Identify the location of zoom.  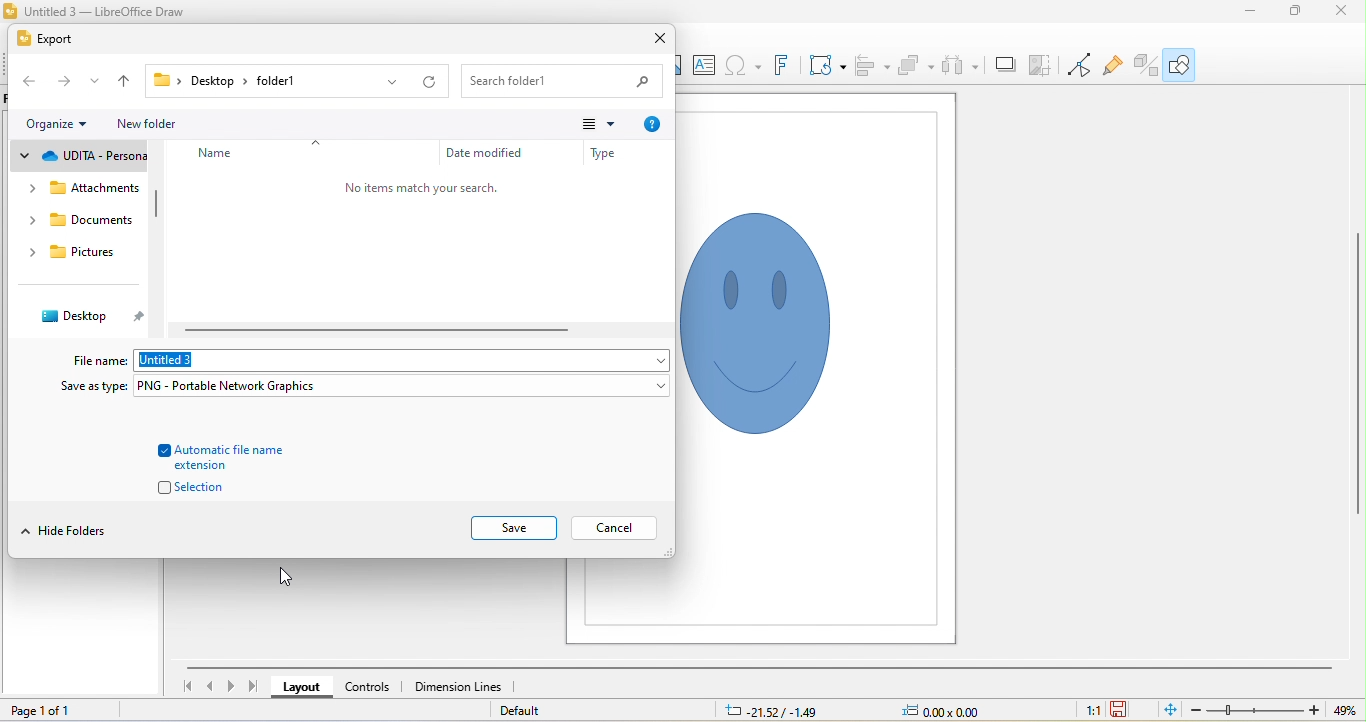
(1274, 709).